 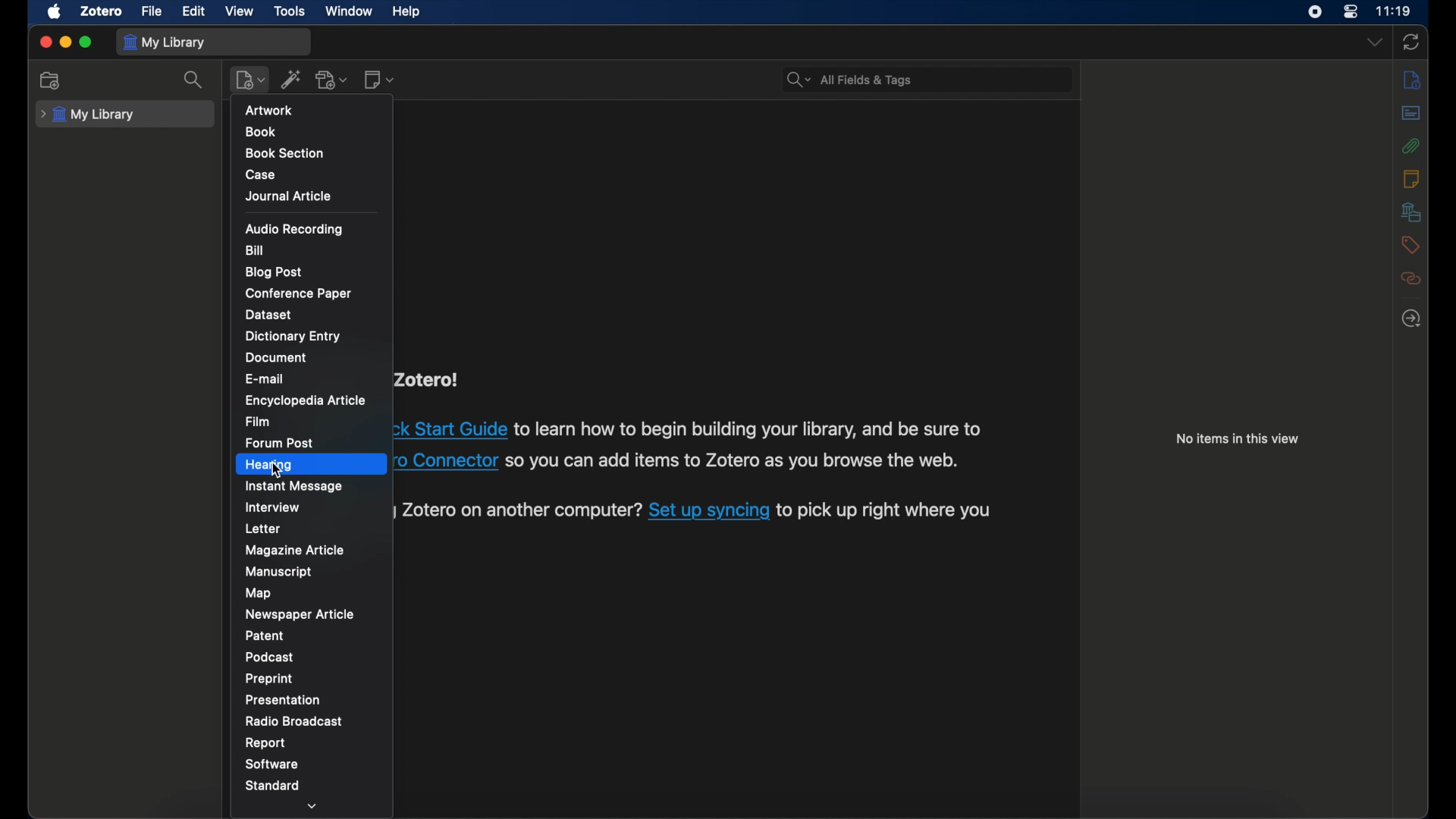 I want to click on report, so click(x=265, y=742).